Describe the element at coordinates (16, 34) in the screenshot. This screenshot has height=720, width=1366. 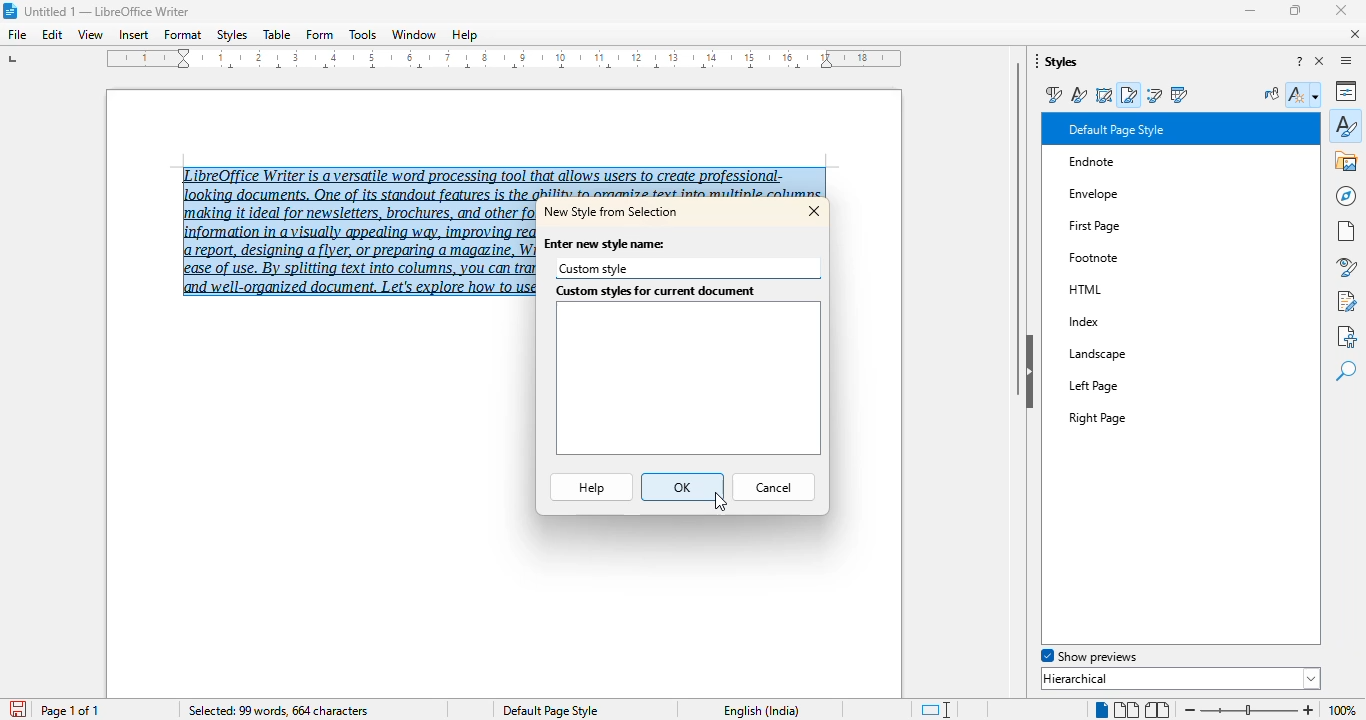
I see `file` at that location.